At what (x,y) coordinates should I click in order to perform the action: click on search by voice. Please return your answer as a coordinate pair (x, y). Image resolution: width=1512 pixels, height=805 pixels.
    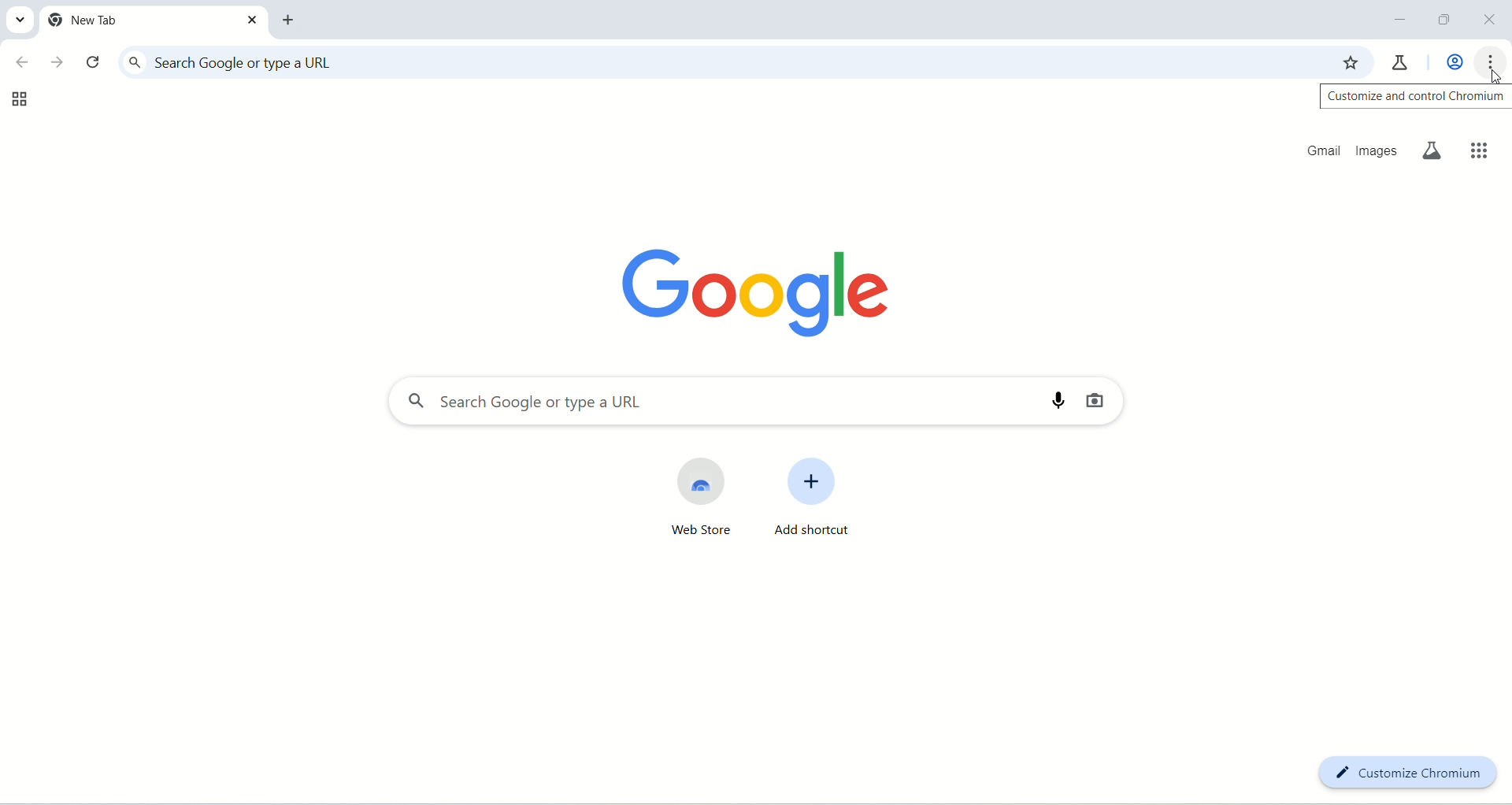
    Looking at the image, I should click on (1051, 401).